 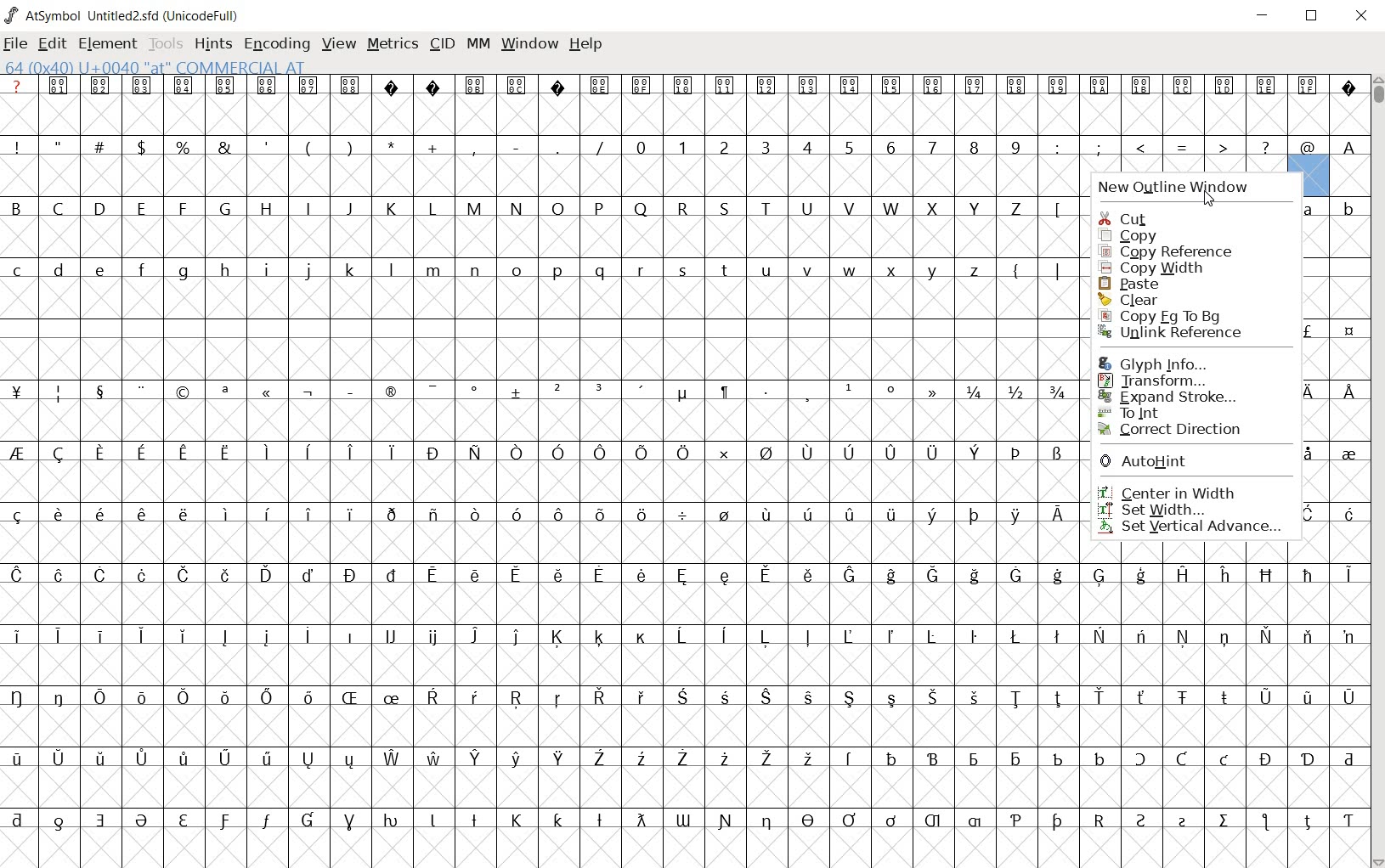 I want to click on glyph, so click(x=540, y=471).